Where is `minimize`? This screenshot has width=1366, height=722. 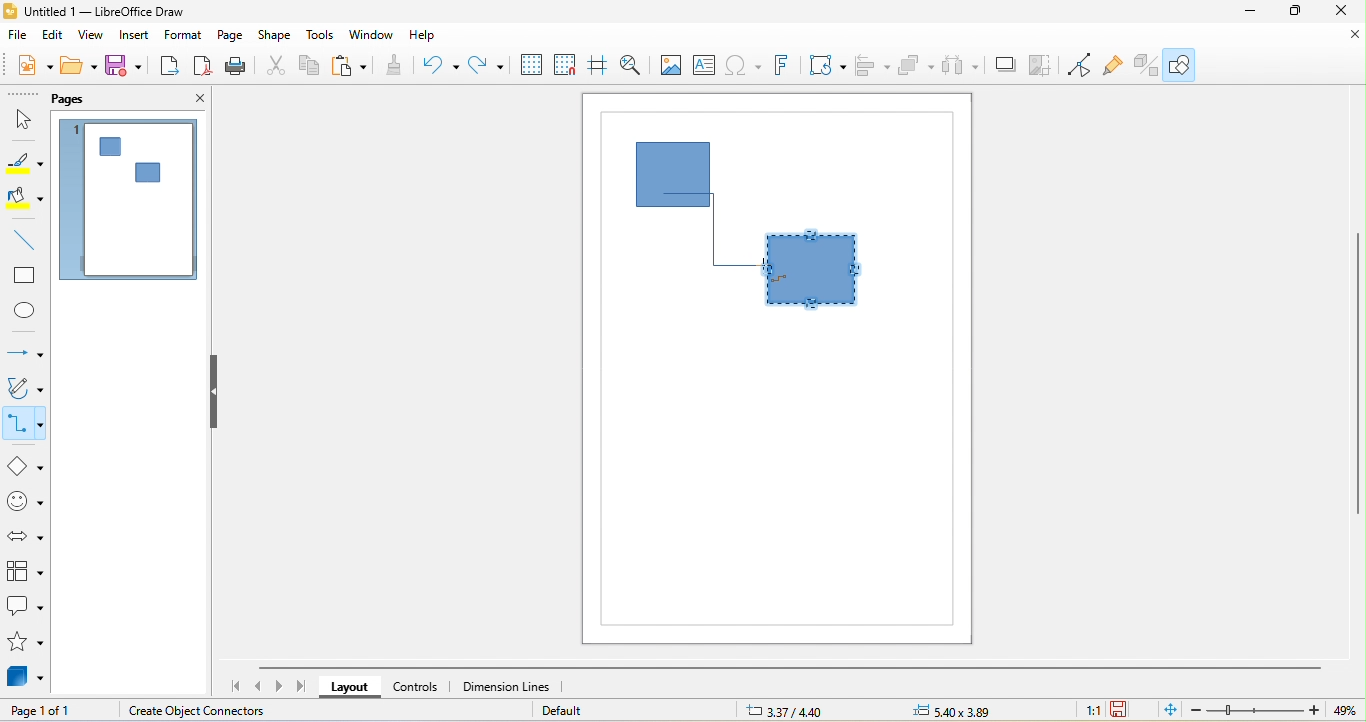 minimize is located at coordinates (1253, 14).